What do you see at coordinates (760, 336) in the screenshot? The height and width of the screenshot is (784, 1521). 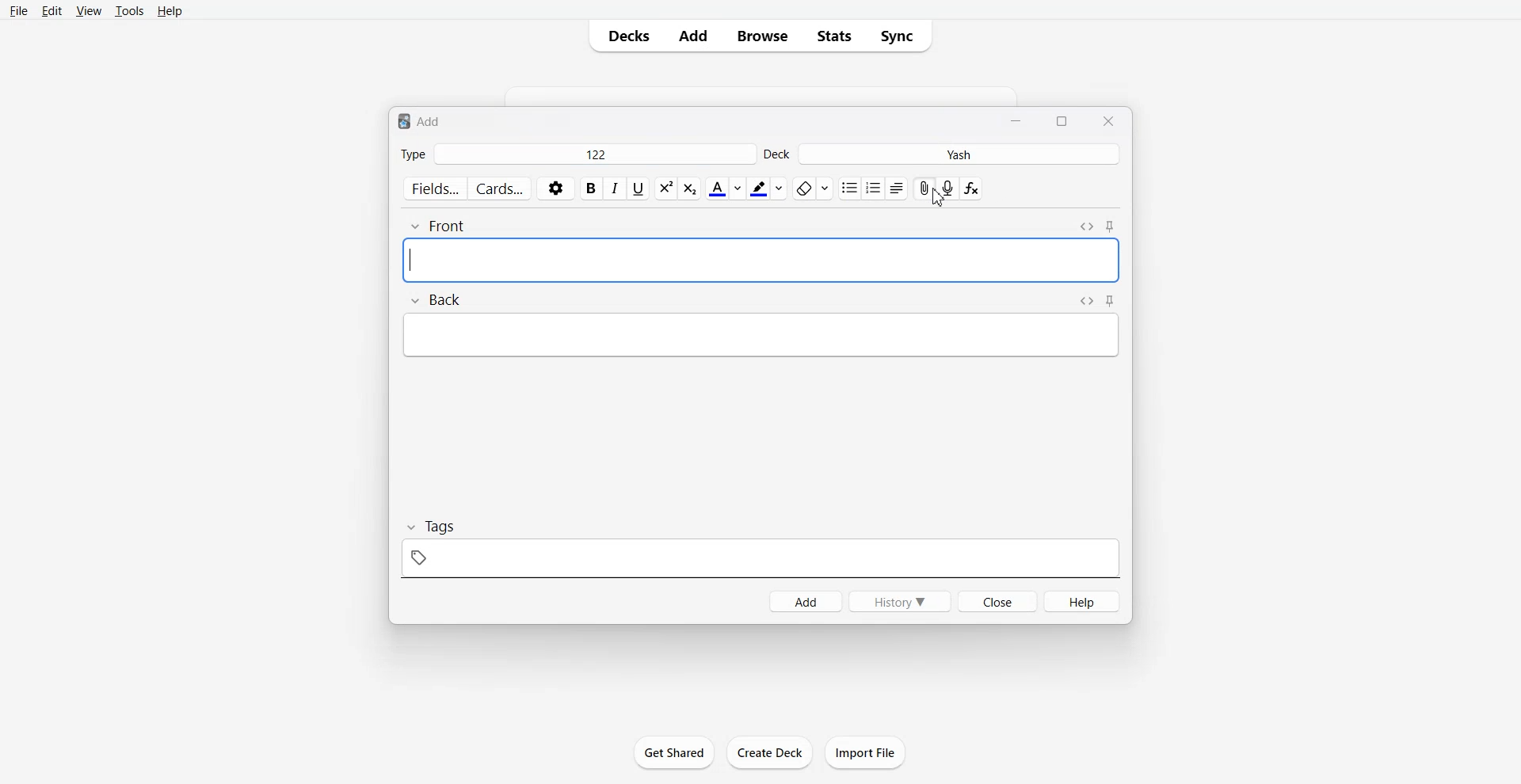 I see `text` at bounding box center [760, 336].